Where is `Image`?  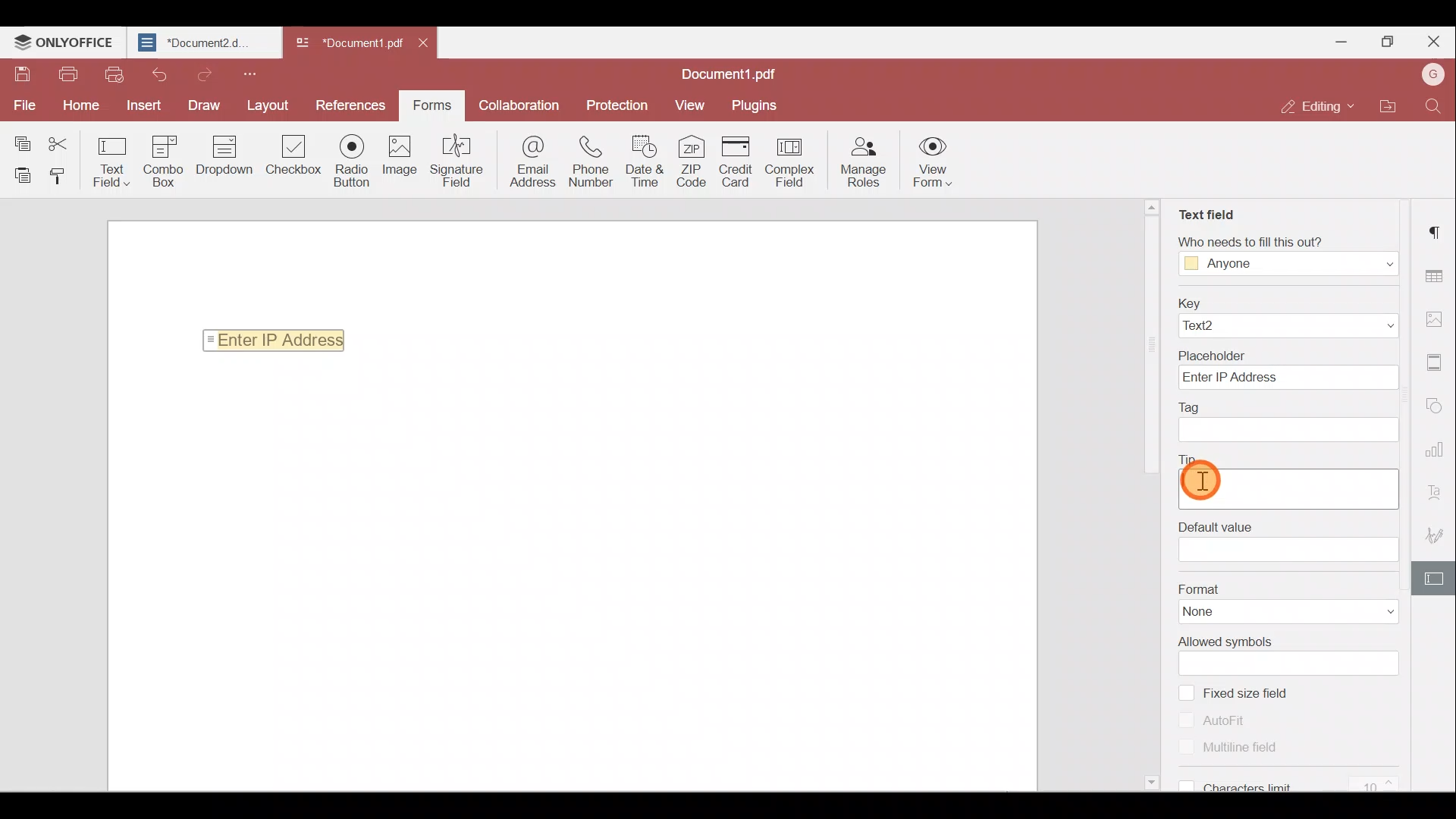 Image is located at coordinates (406, 161).